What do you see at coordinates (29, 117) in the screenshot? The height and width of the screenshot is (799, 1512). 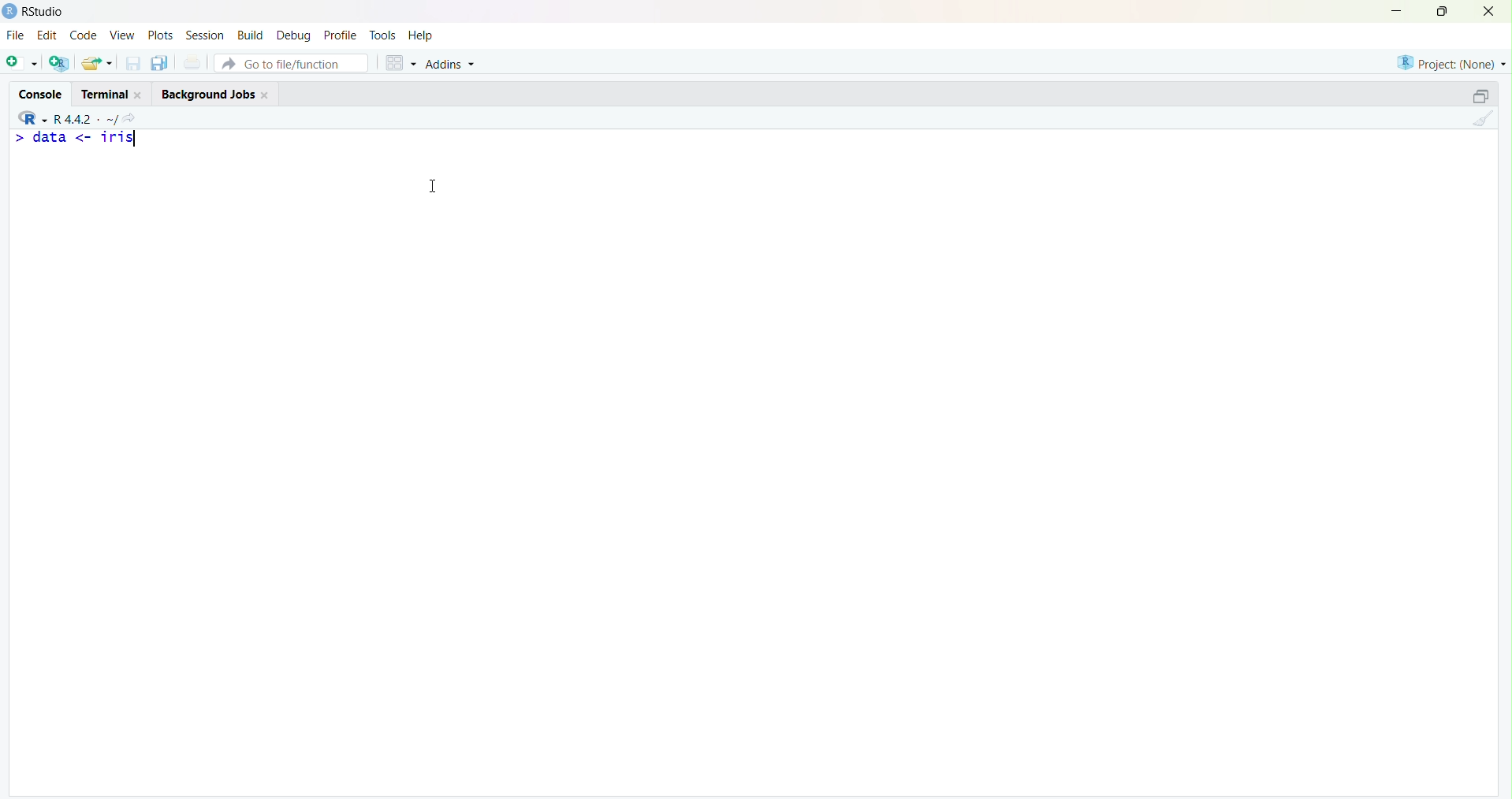 I see `RStudio logo` at bounding box center [29, 117].